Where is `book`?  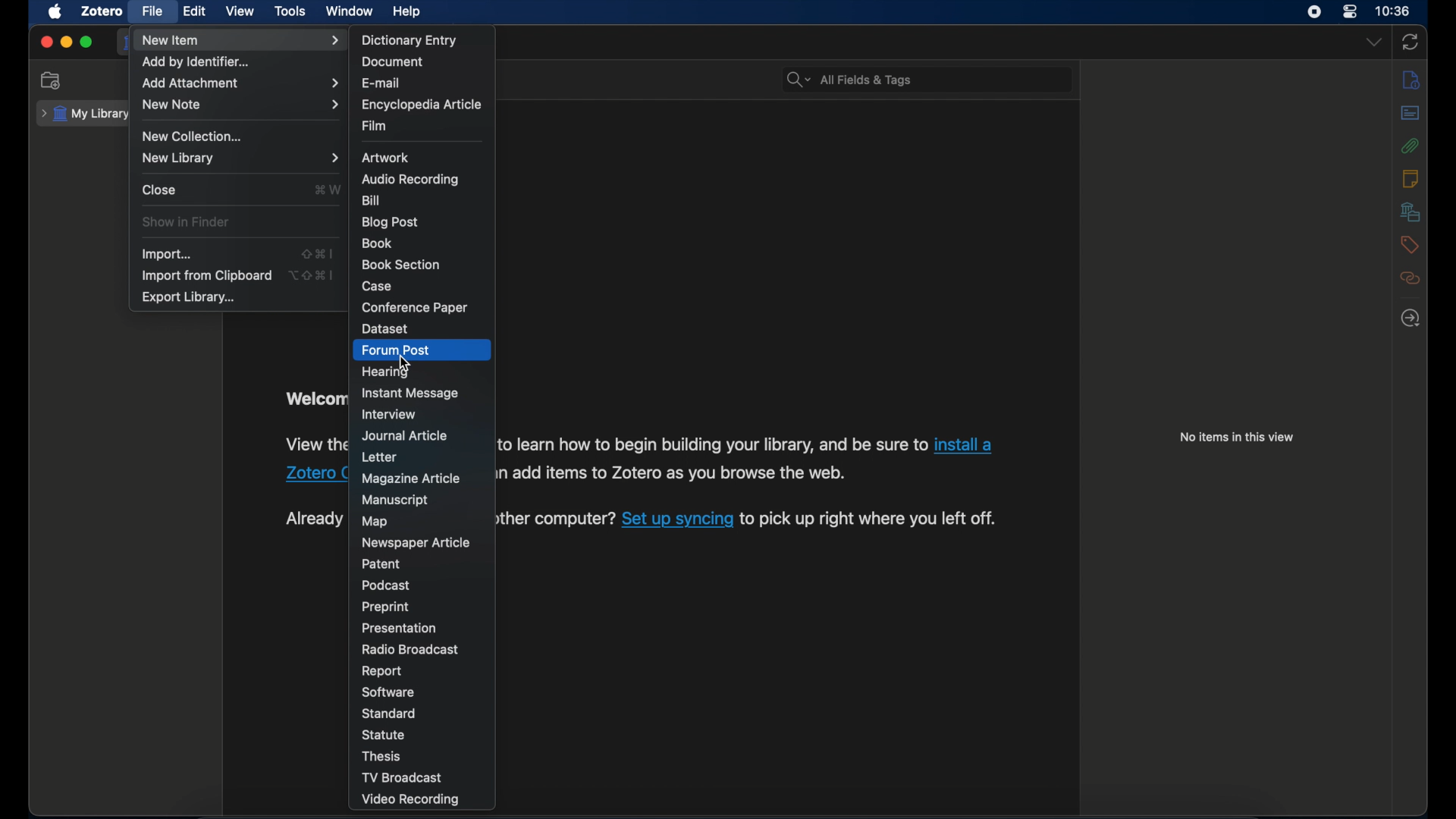
book is located at coordinates (378, 243).